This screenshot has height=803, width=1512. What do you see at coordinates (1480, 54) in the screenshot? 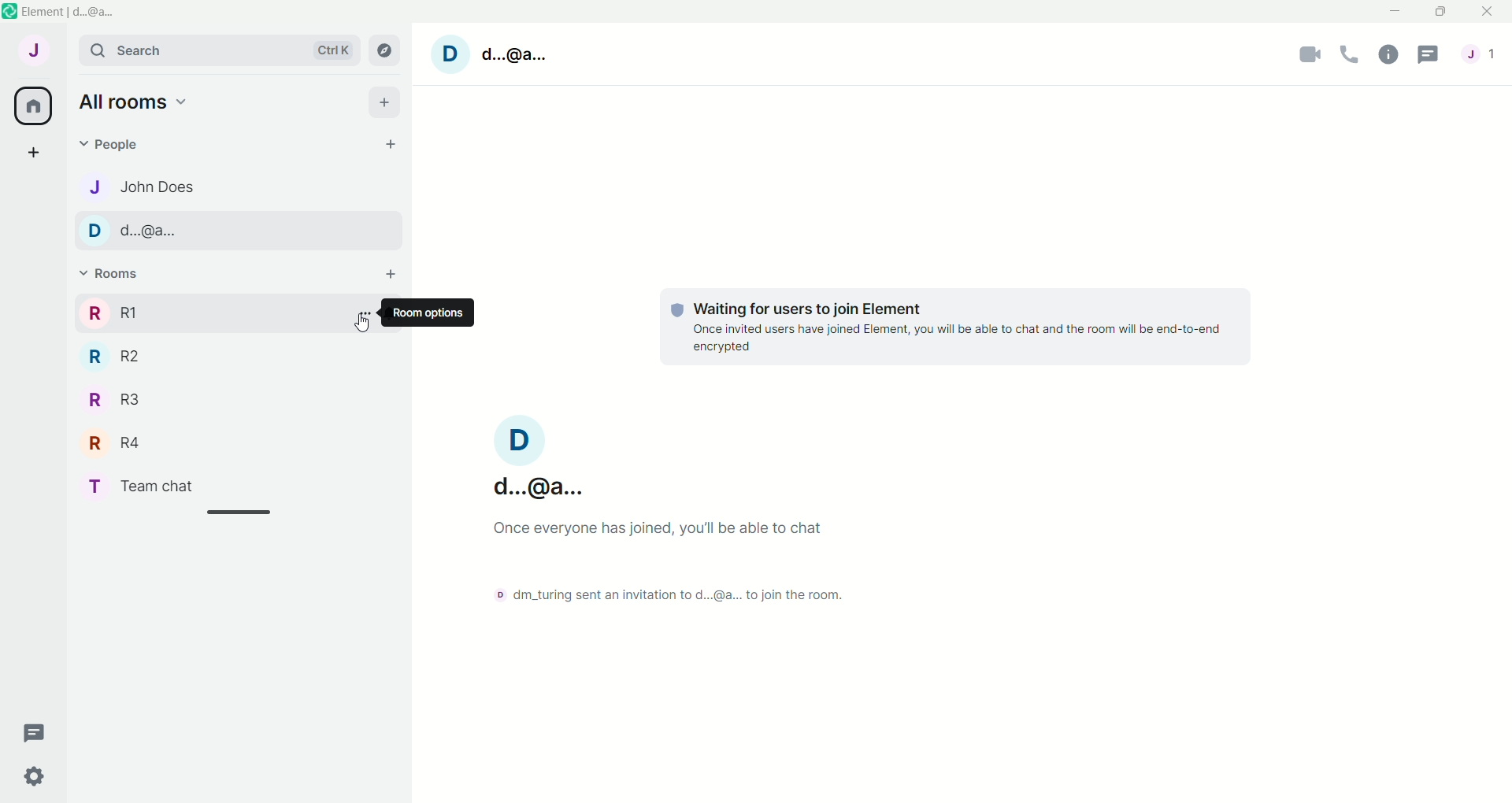
I see `account` at bounding box center [1480, 54].